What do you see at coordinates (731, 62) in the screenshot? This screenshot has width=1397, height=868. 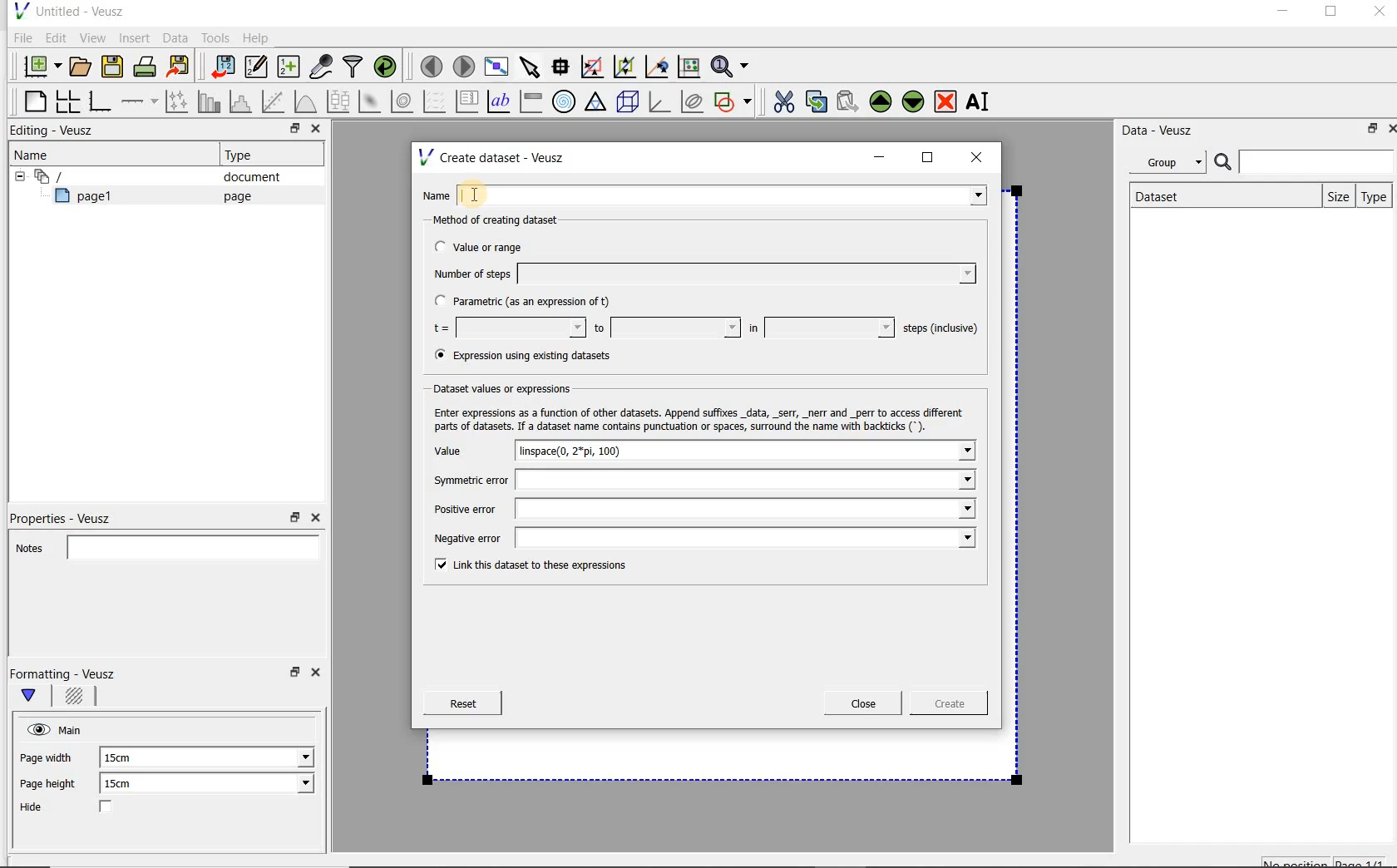 I see `Zoom functions menu` at bounding box center [731, 62].